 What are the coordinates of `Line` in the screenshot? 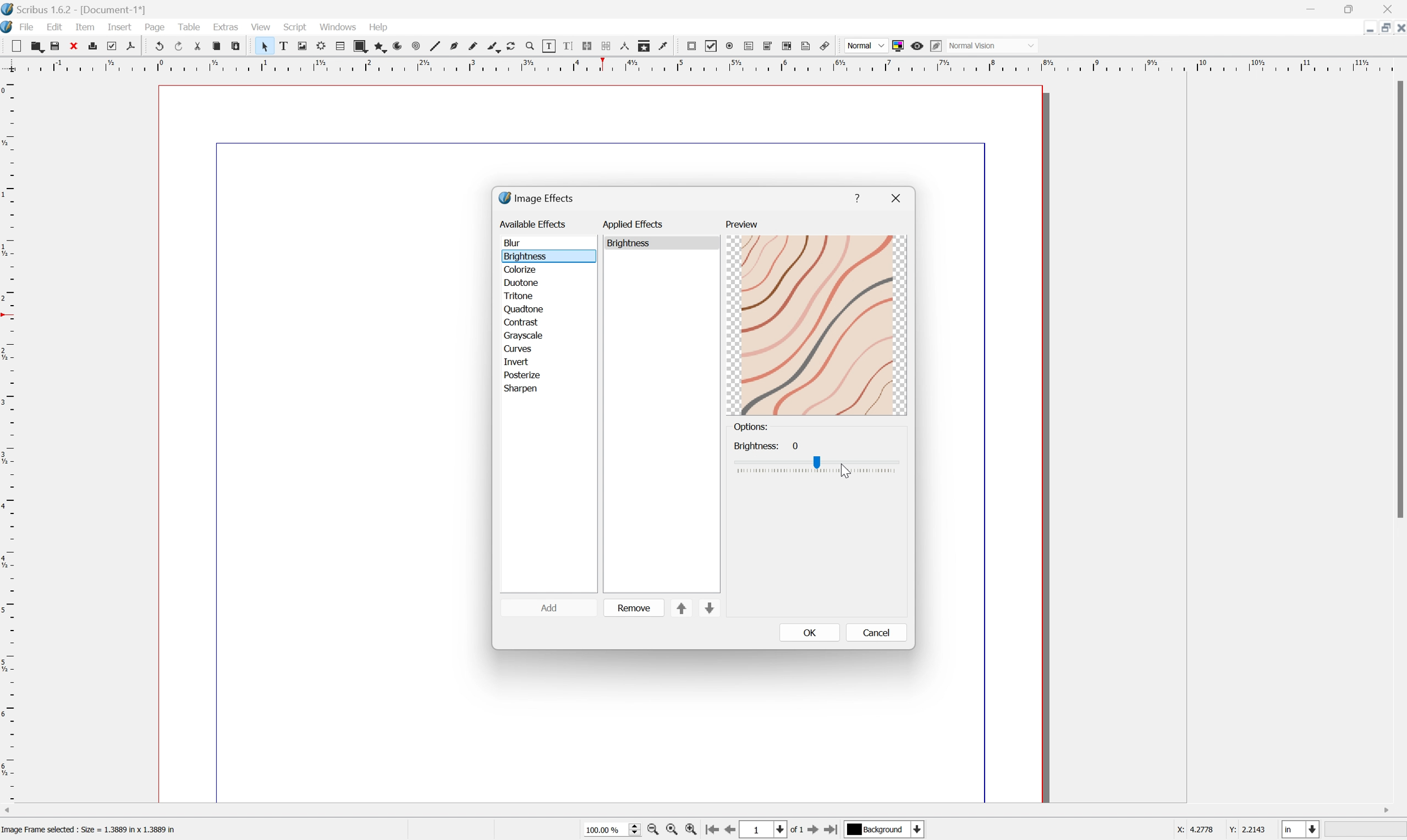 It's located at (438, 44).